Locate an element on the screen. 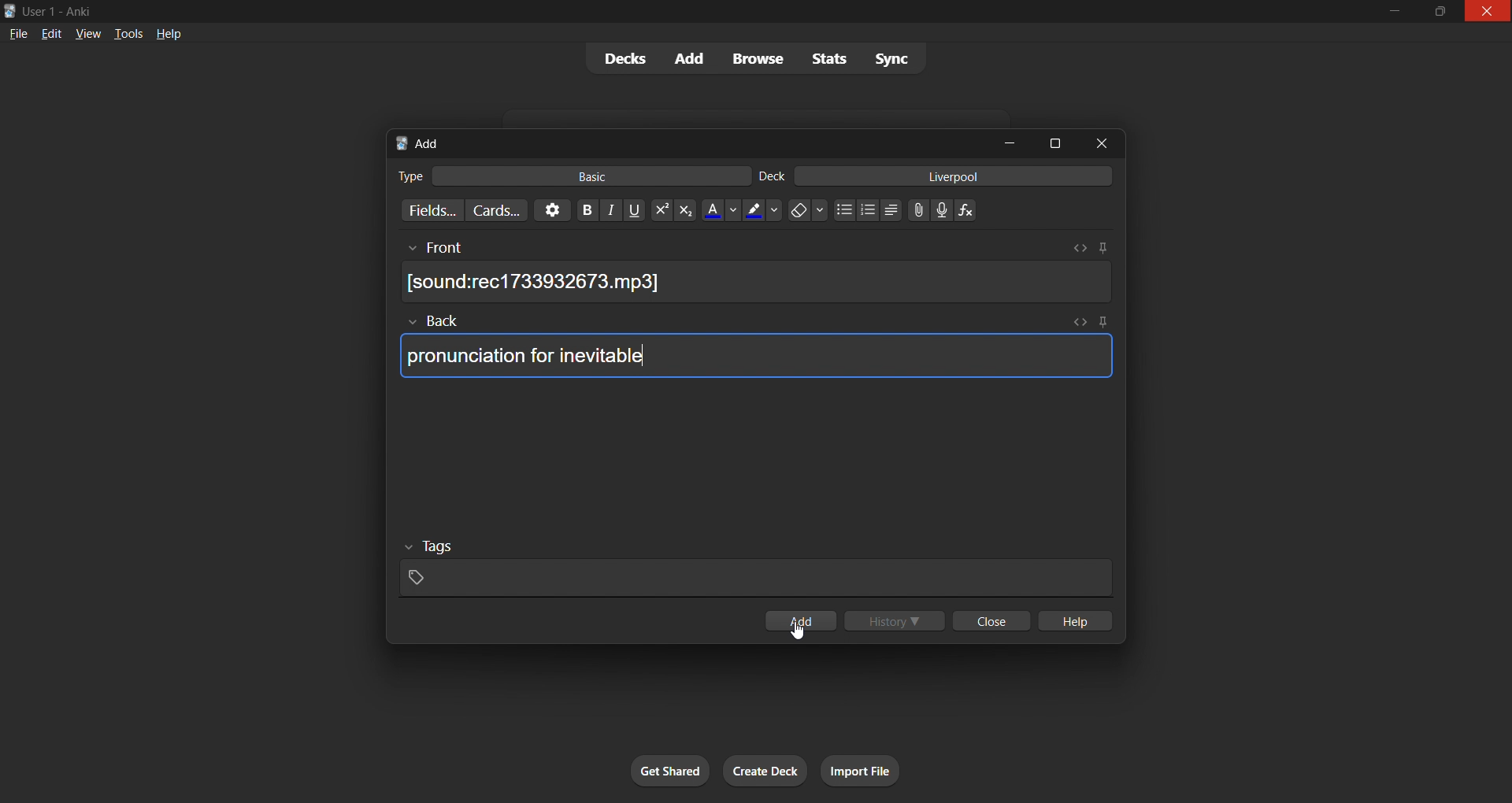 This screenshot has width=1512, height=803. customize fields is located at coordinates (427, 211).